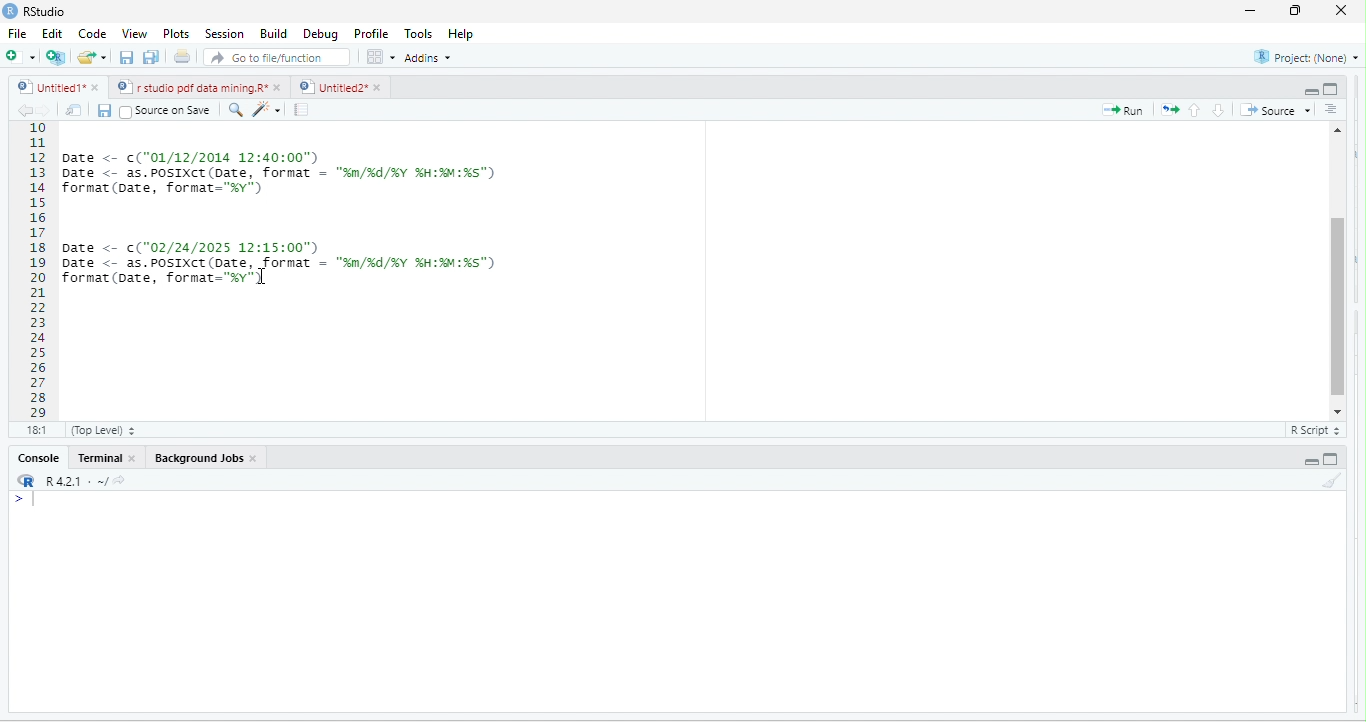  What do you see at coordinates (1339, 128) in the screenshot?
I see `scroll up` at bounding box center [1339, 128].